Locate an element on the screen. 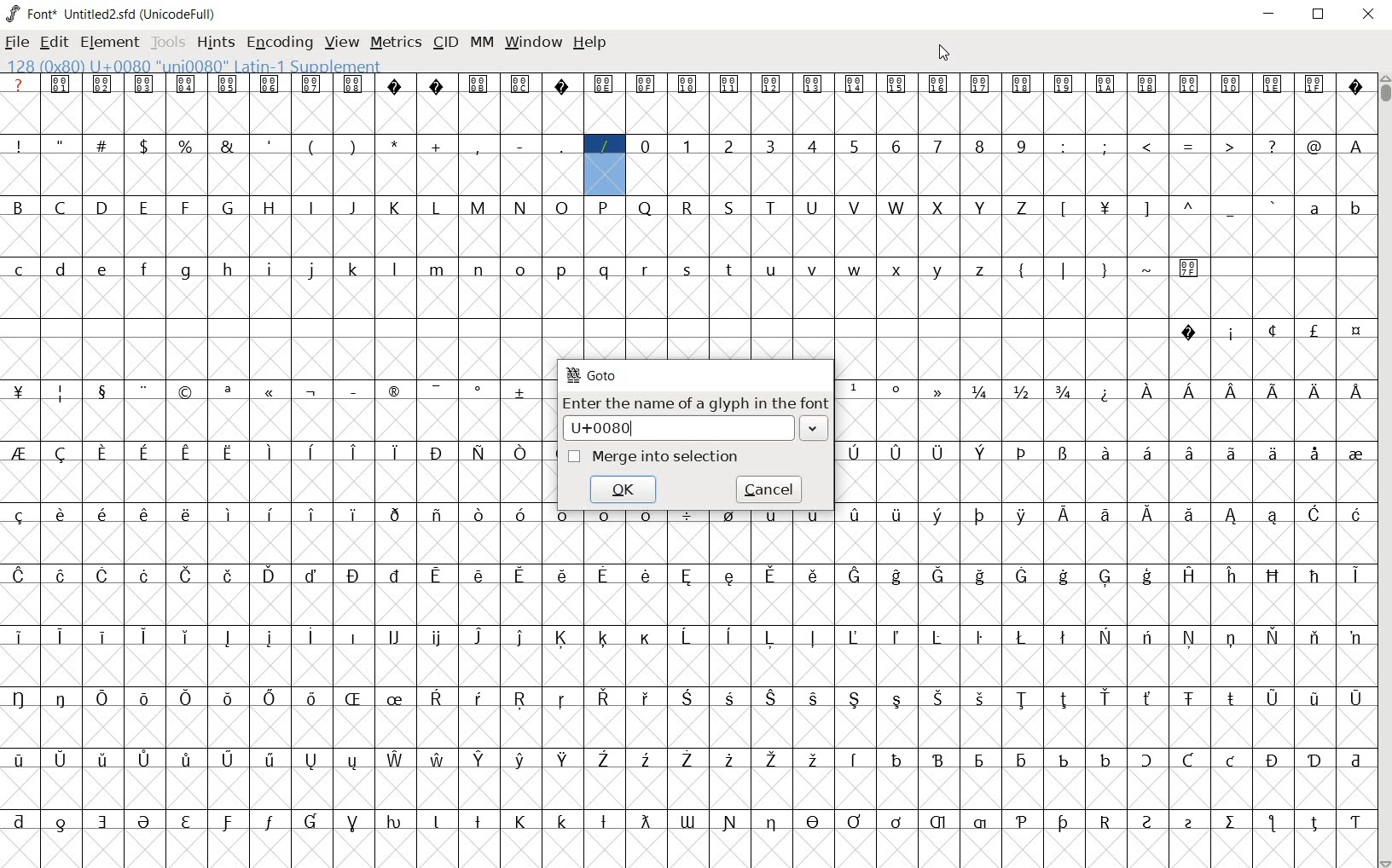 Image resolution: width=1392 pixels, height=868 pixels. glyph is located at coordinates (1105, 697).